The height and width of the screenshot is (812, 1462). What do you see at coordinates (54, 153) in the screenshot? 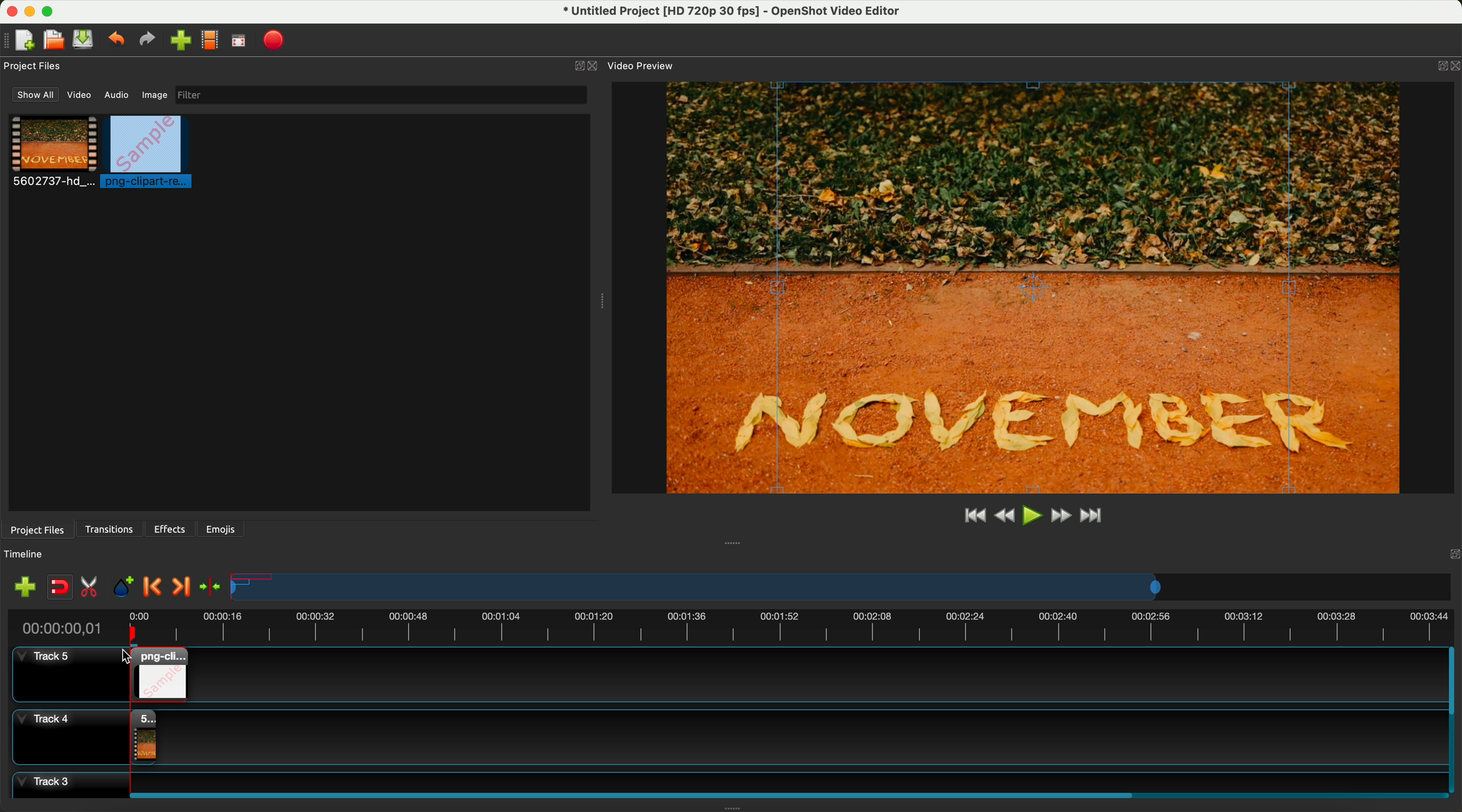
I see `video` at bounding box center [54, 153].